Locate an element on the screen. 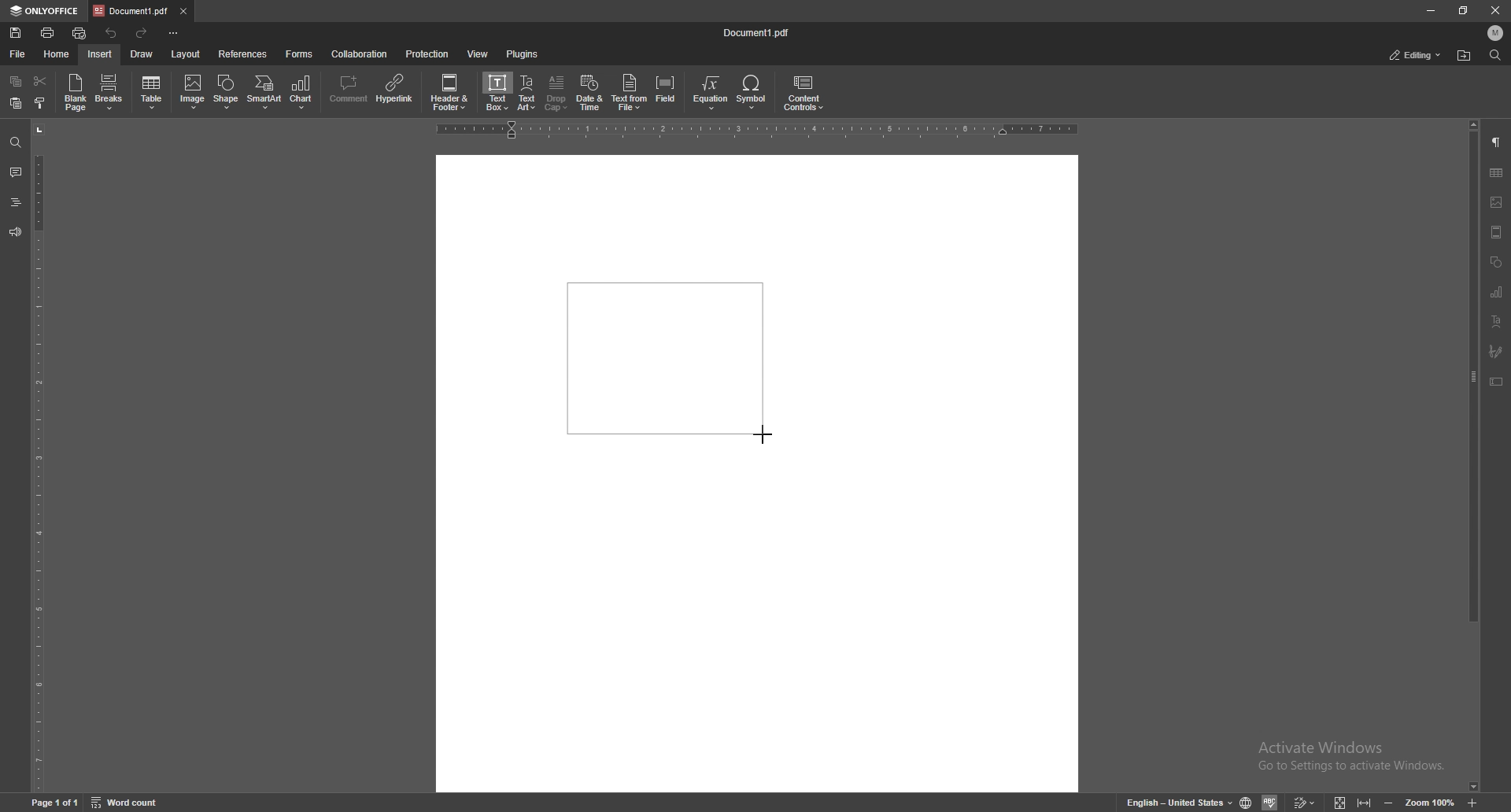 This screenshot has width=1511, height=812. text from file is located at coordinates (630, 91).